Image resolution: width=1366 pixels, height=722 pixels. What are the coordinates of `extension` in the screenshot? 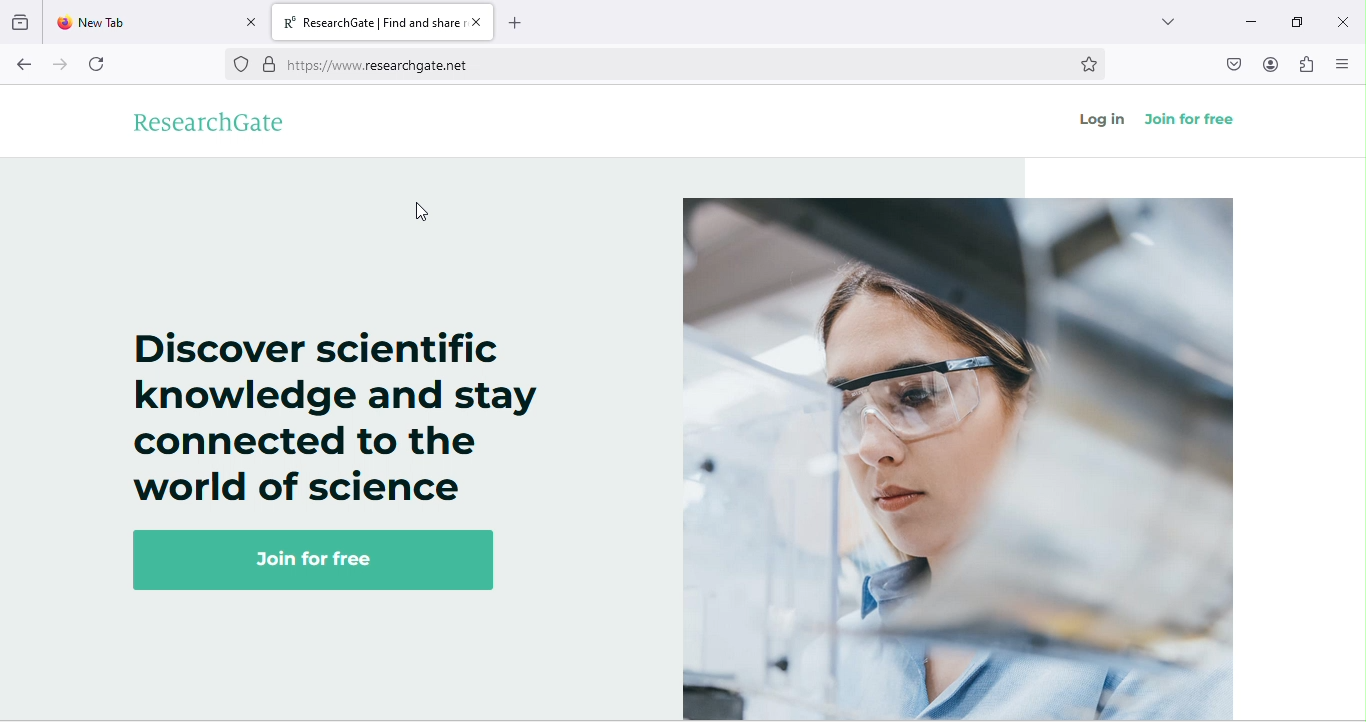 It's located at (1303, 64).